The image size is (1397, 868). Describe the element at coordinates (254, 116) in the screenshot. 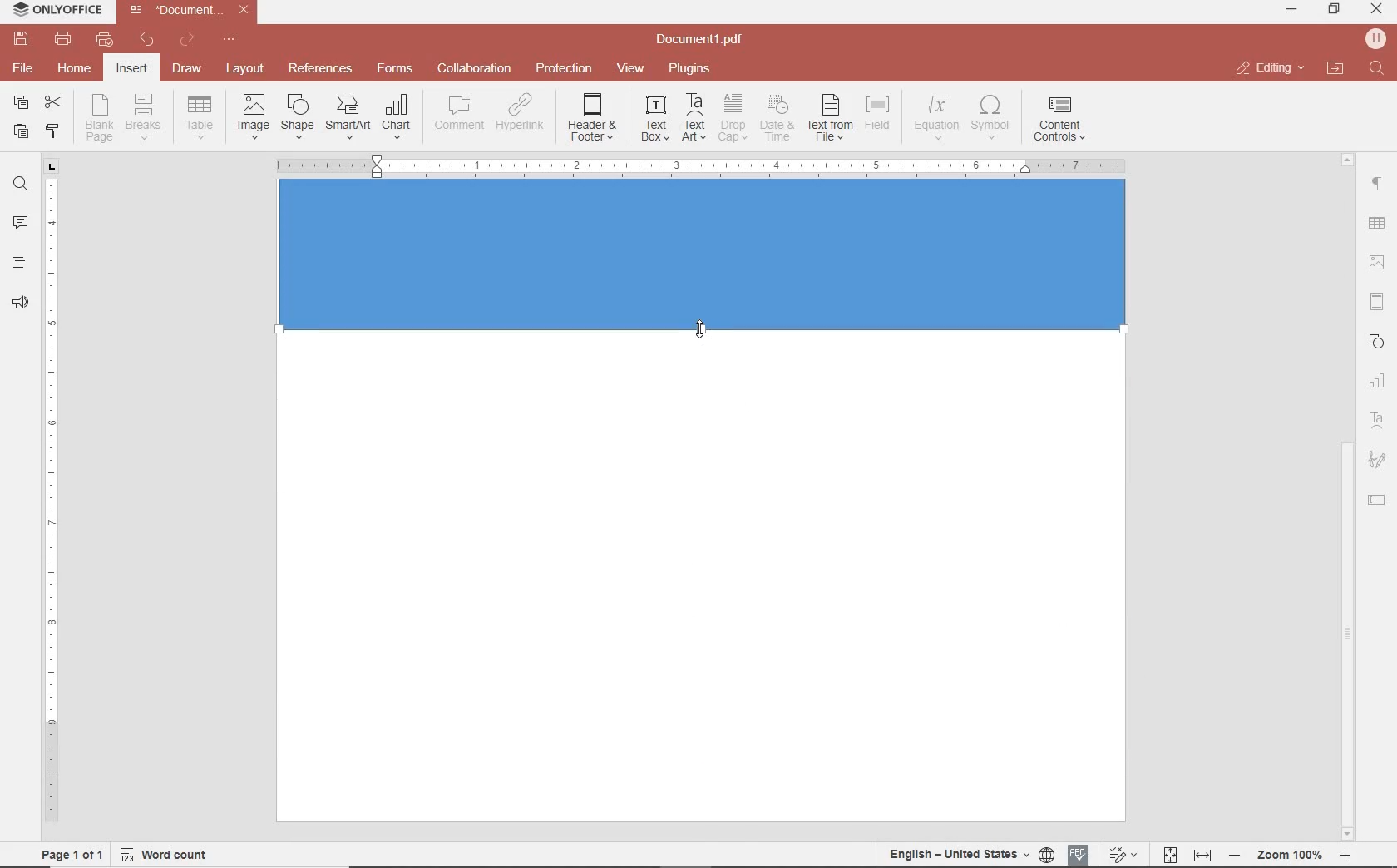

I see `INSERT IMAGES` at that location.